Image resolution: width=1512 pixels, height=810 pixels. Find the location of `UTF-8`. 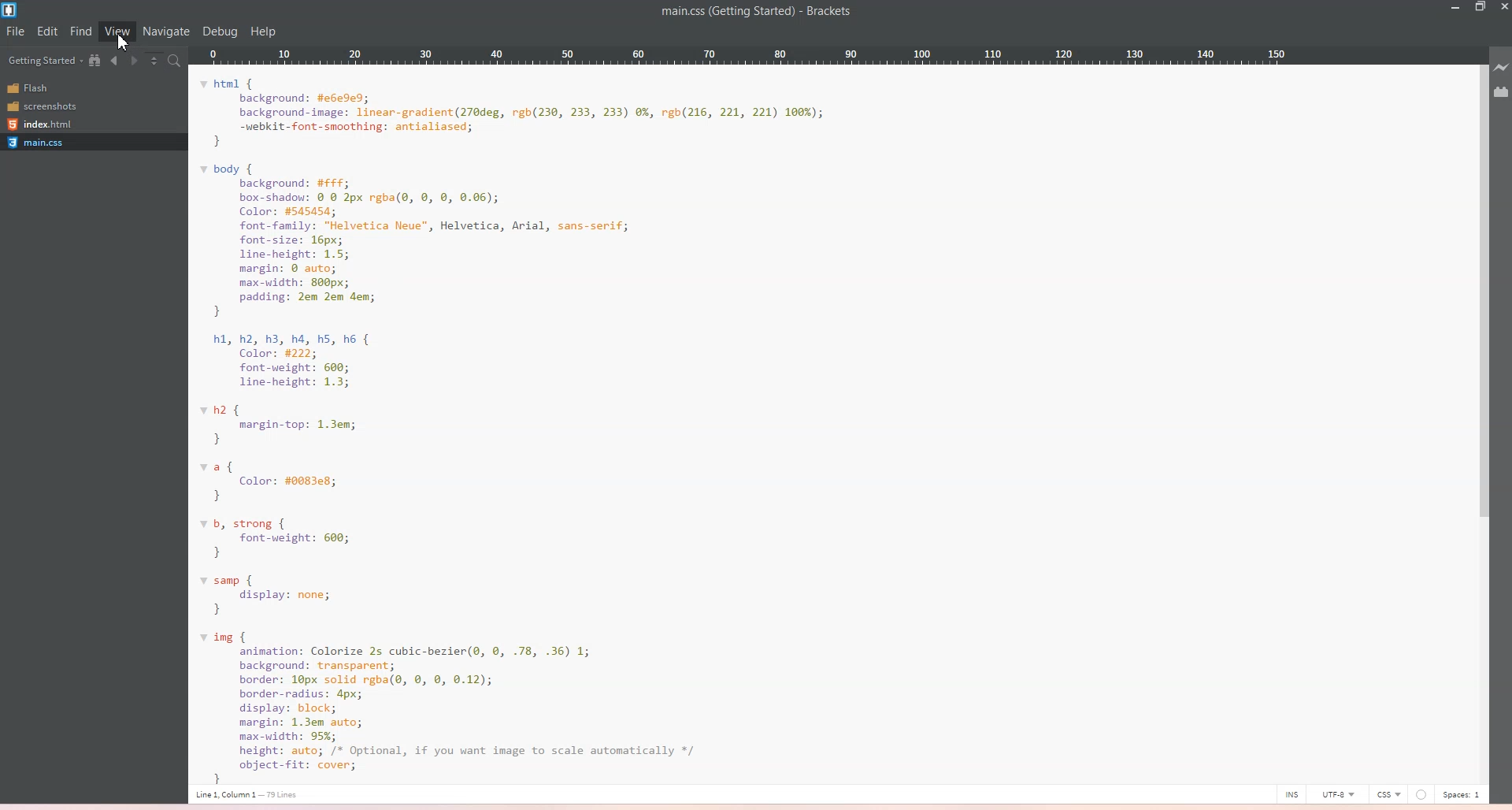

UTF-8 is located at coordinates (1338, 798).